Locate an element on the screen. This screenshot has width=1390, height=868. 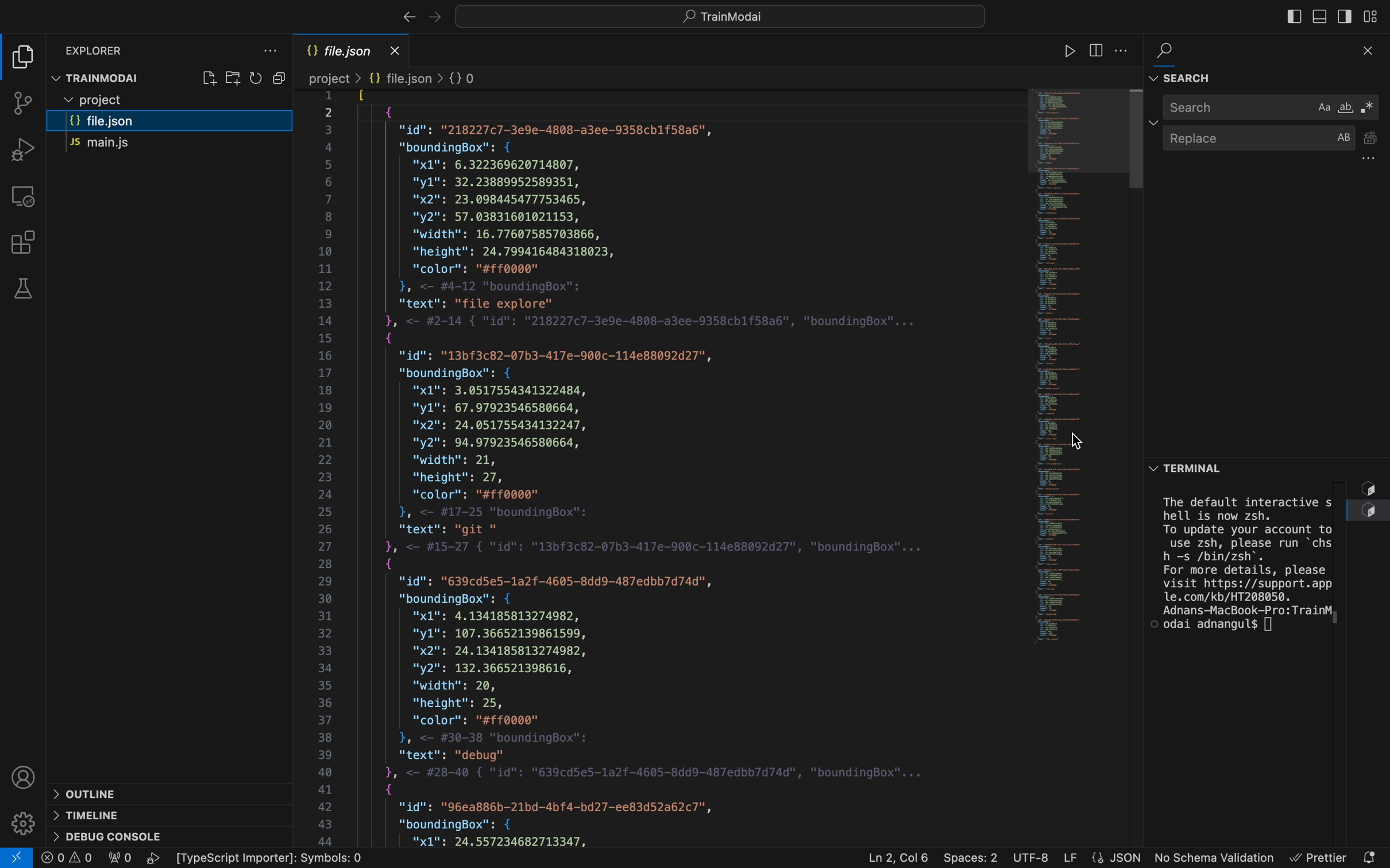
trainmodal is located at coordinates (99, 76).